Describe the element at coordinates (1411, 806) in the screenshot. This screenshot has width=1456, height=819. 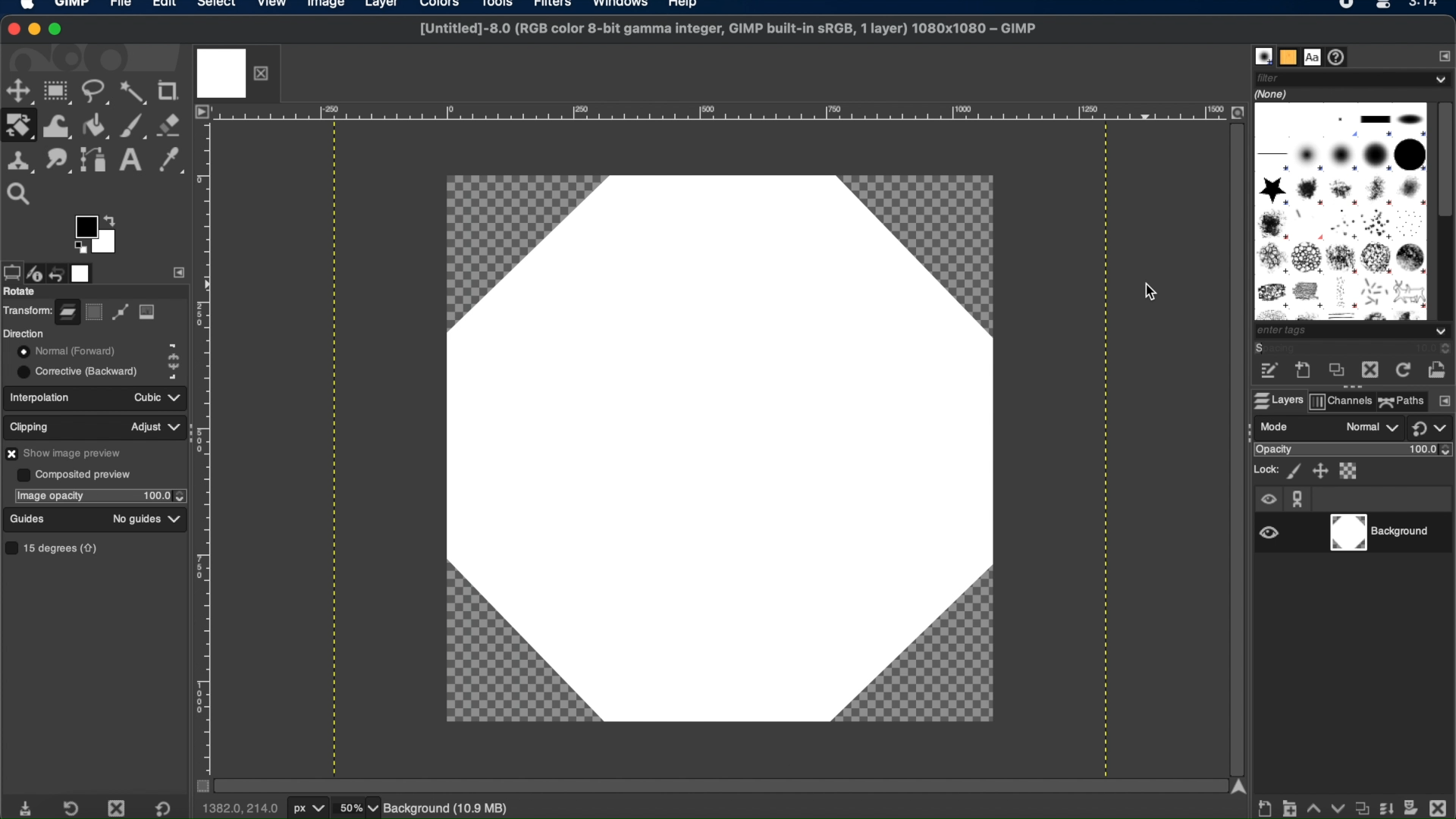
I see `add mask options` at that location.